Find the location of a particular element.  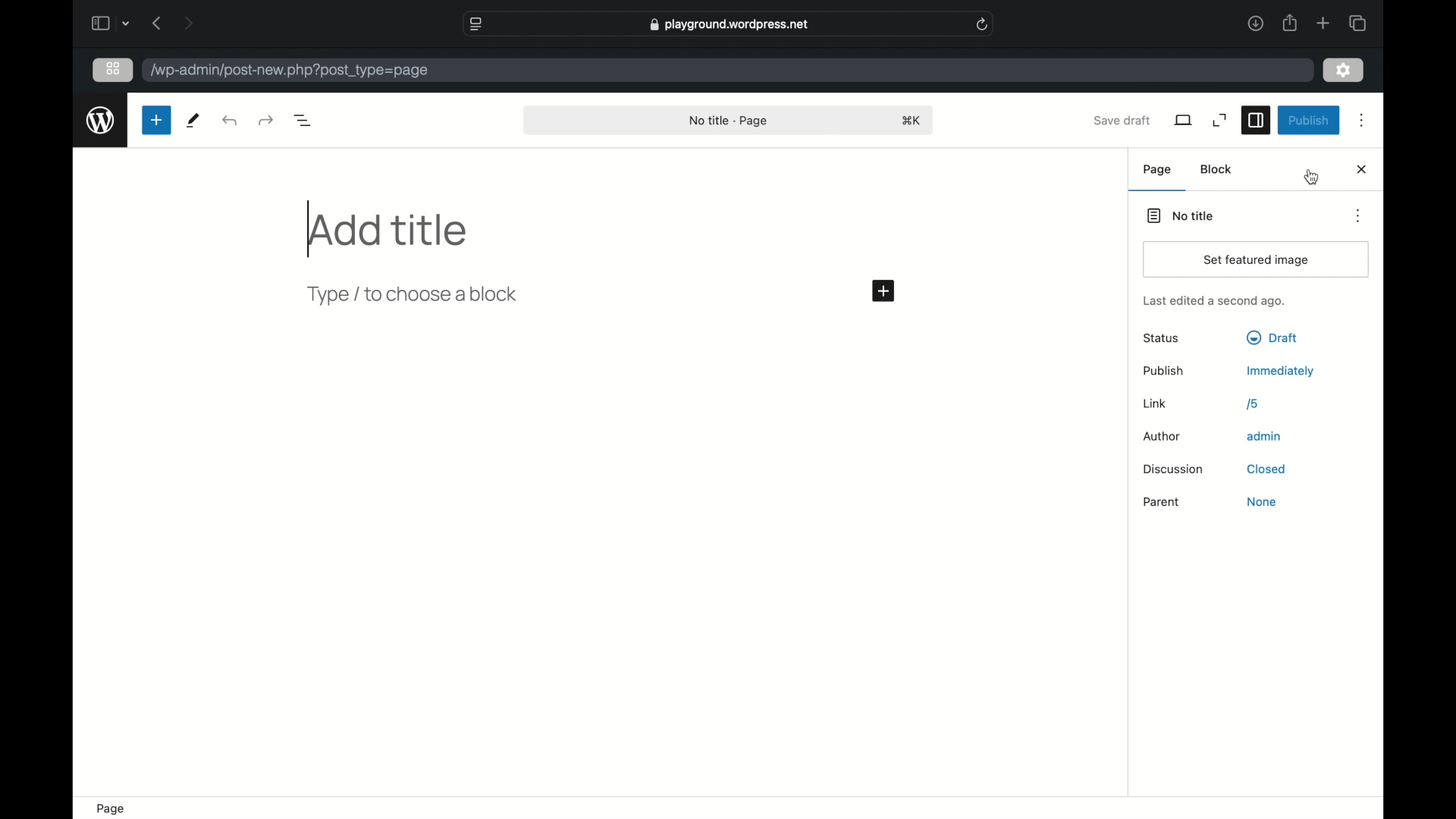

sidebar is located at coordinates (1256, 121).